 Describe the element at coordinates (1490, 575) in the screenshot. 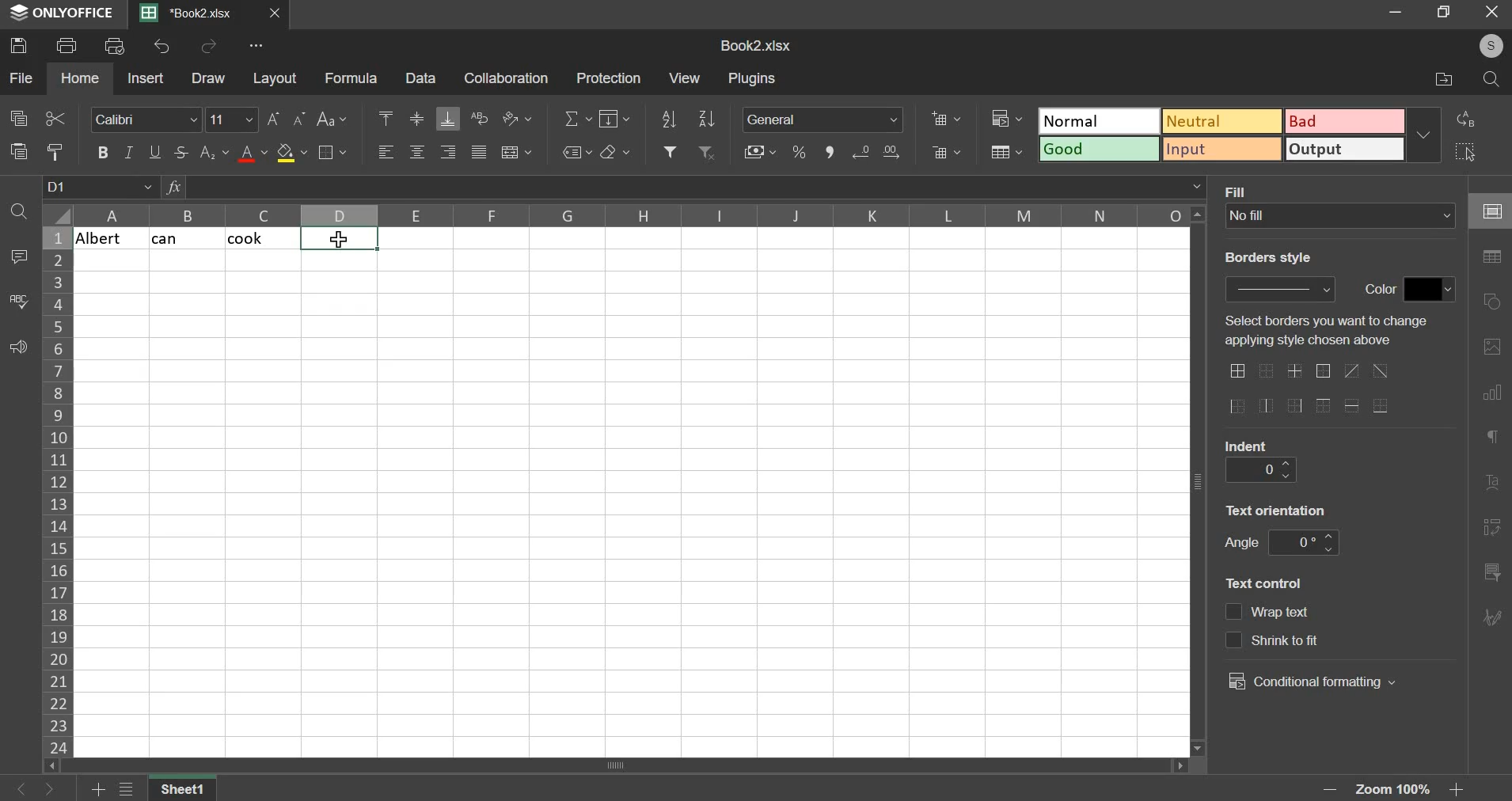

I see `slicer` at that location.